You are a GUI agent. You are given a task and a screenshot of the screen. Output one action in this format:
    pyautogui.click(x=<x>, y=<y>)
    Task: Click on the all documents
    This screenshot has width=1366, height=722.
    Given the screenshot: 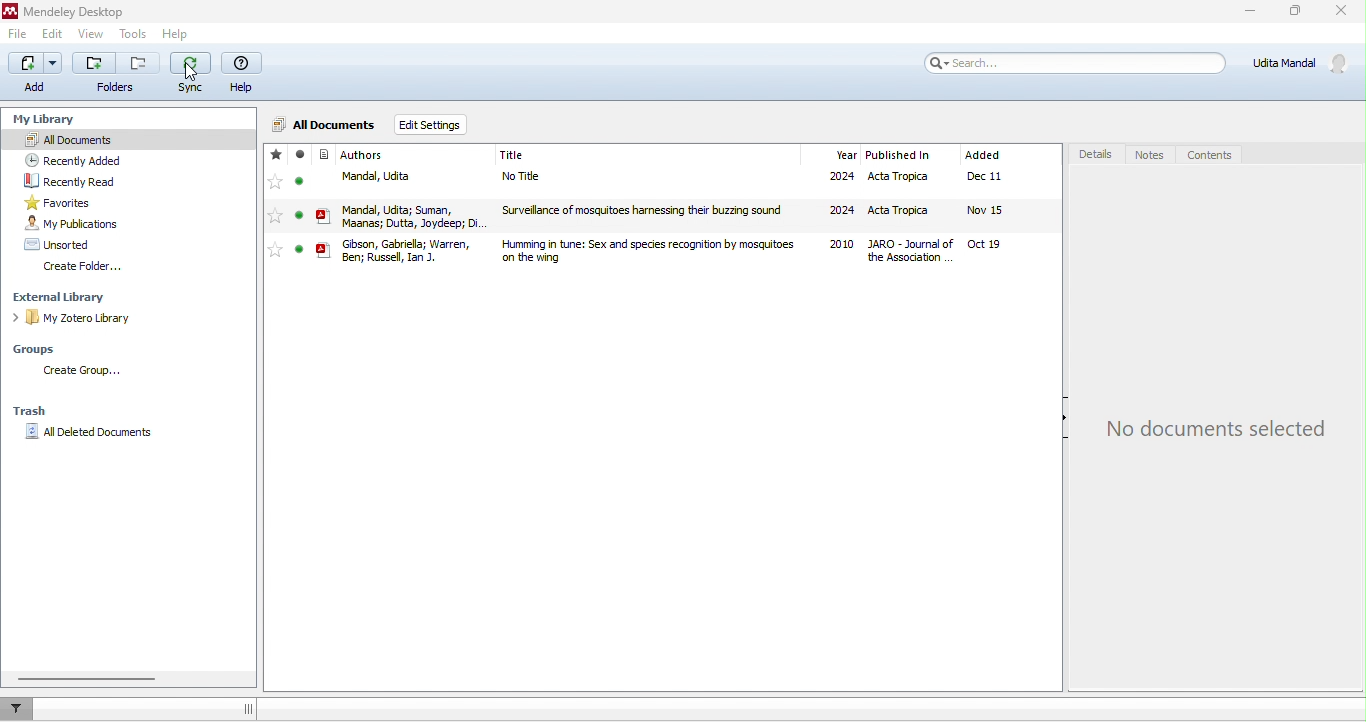 What is the action you would take?
    pyautogui.click(x=134, y=140)
    